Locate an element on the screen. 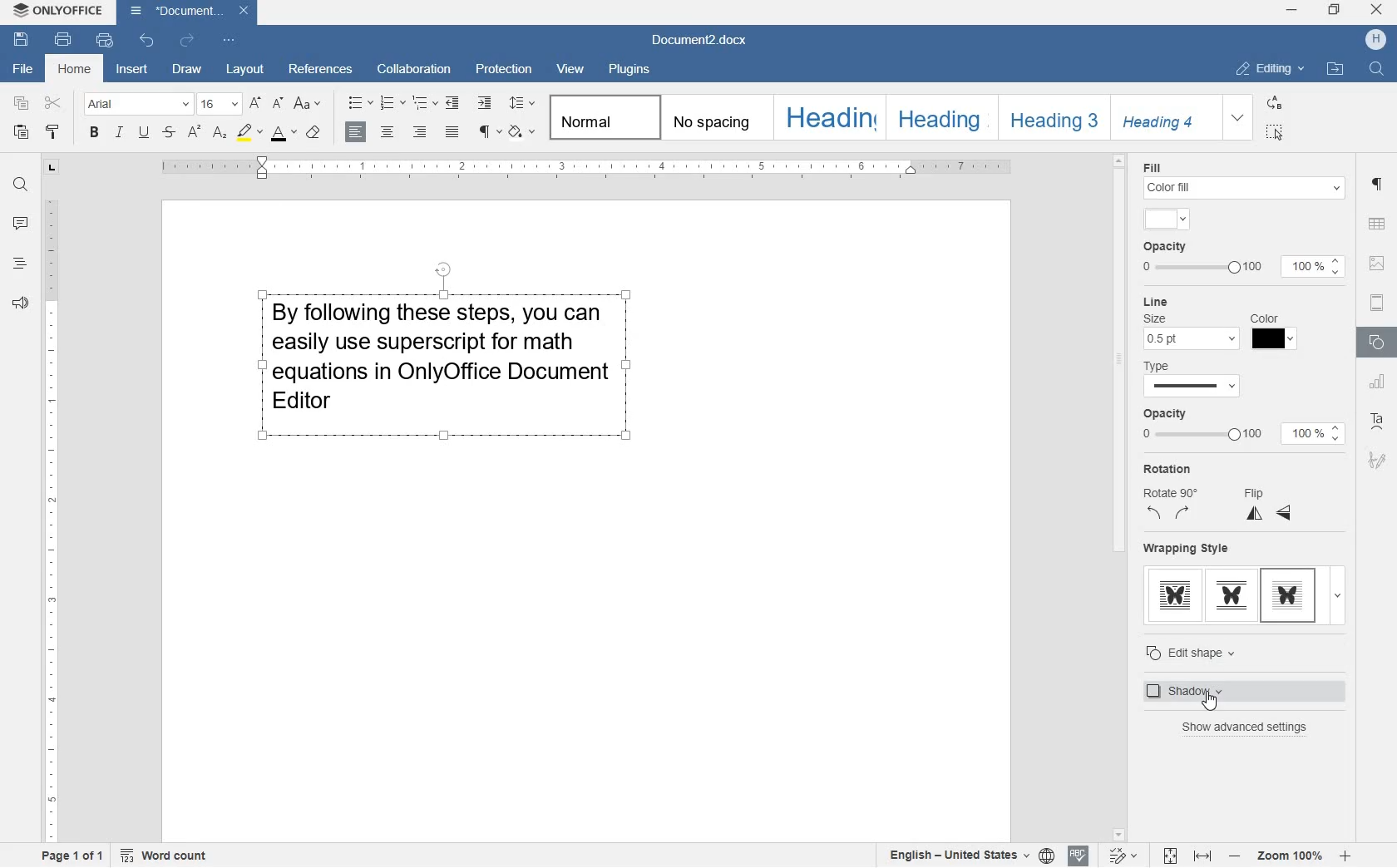 Image resolution: width=1397 pixels, height=868 pixels. chart is located at coordinates (1377, 382).